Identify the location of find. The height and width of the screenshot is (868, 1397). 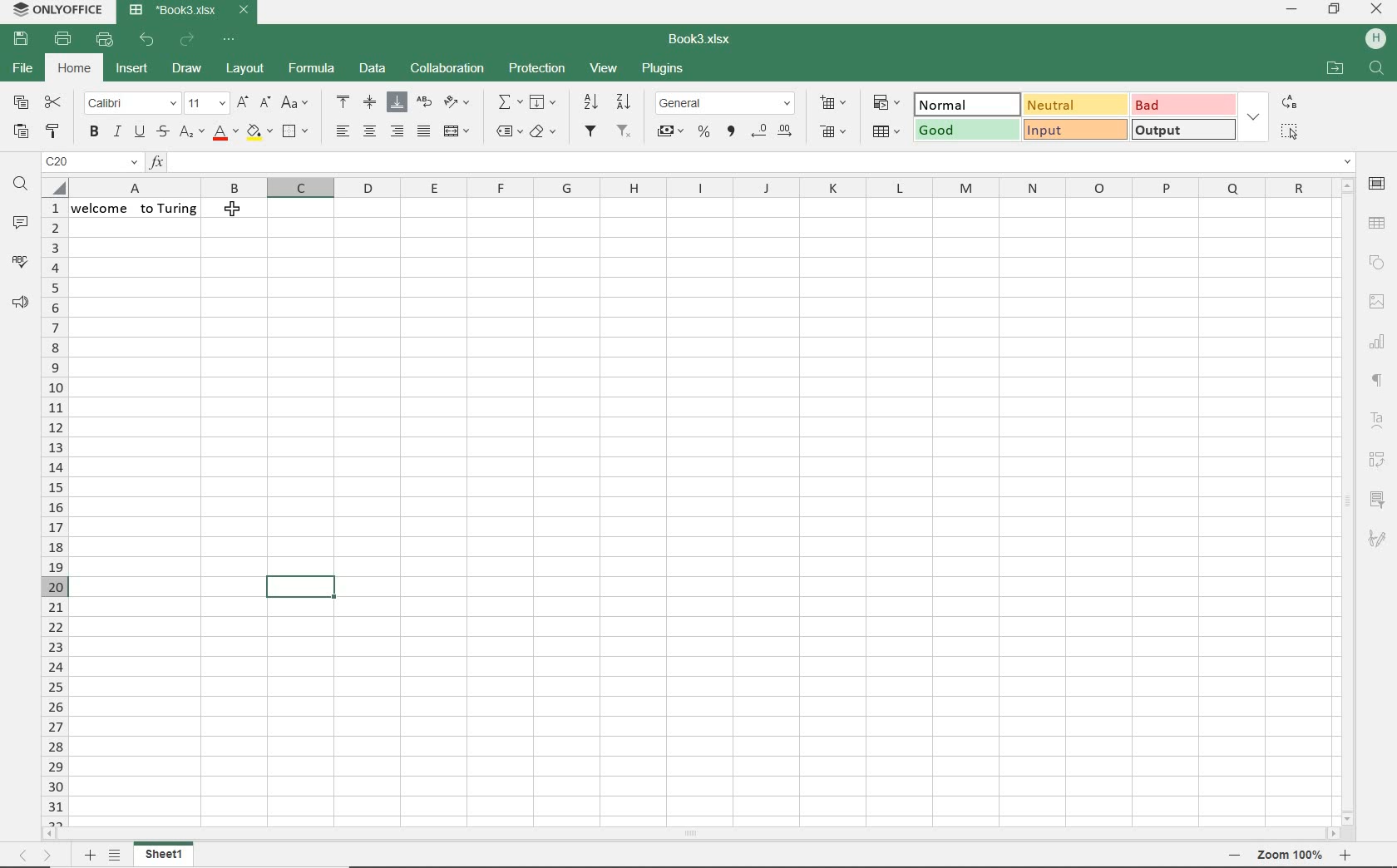
(22, 186).